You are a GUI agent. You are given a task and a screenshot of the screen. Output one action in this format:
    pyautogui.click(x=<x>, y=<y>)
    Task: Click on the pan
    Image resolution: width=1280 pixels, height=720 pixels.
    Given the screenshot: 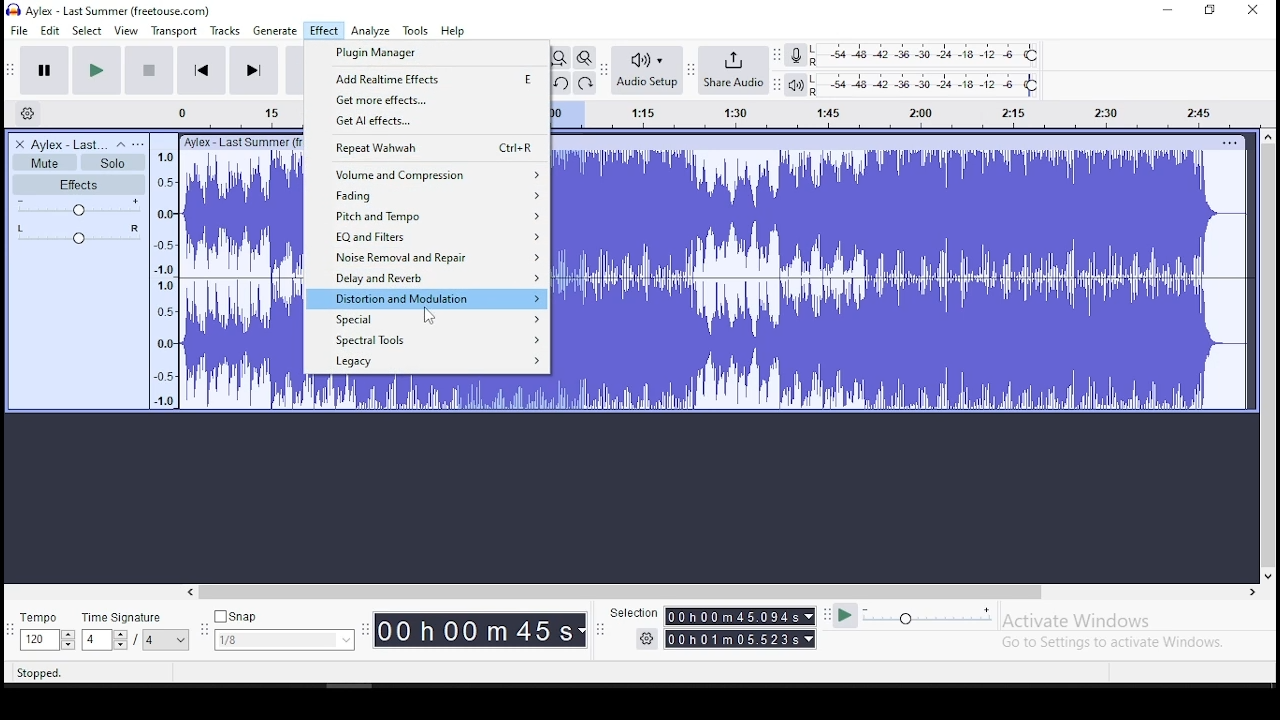 What is the action you would take?
    pyautogui.click(x=77, y=234)
    